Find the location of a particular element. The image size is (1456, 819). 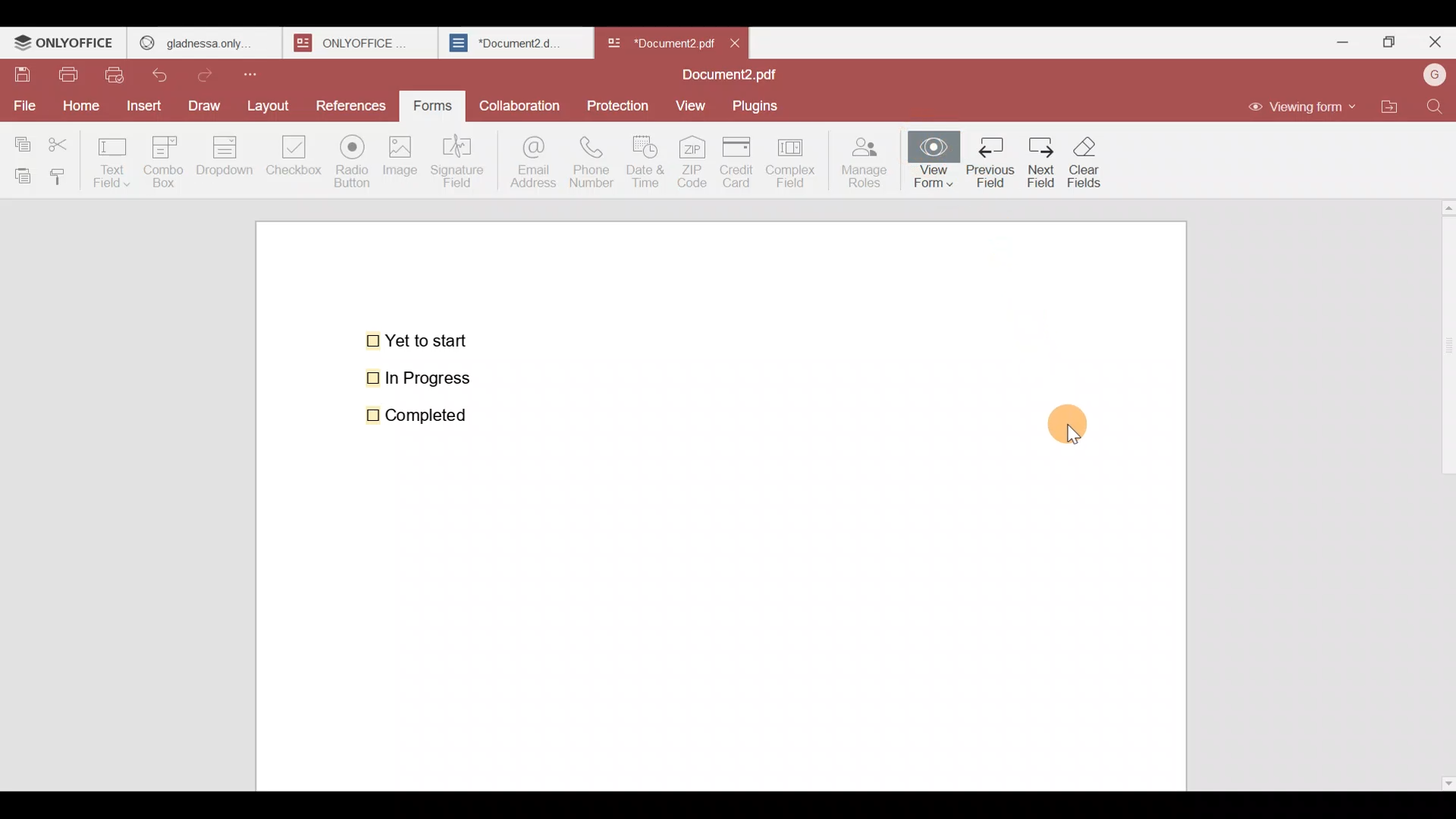

In Progress is located at coordinates (427, 378).